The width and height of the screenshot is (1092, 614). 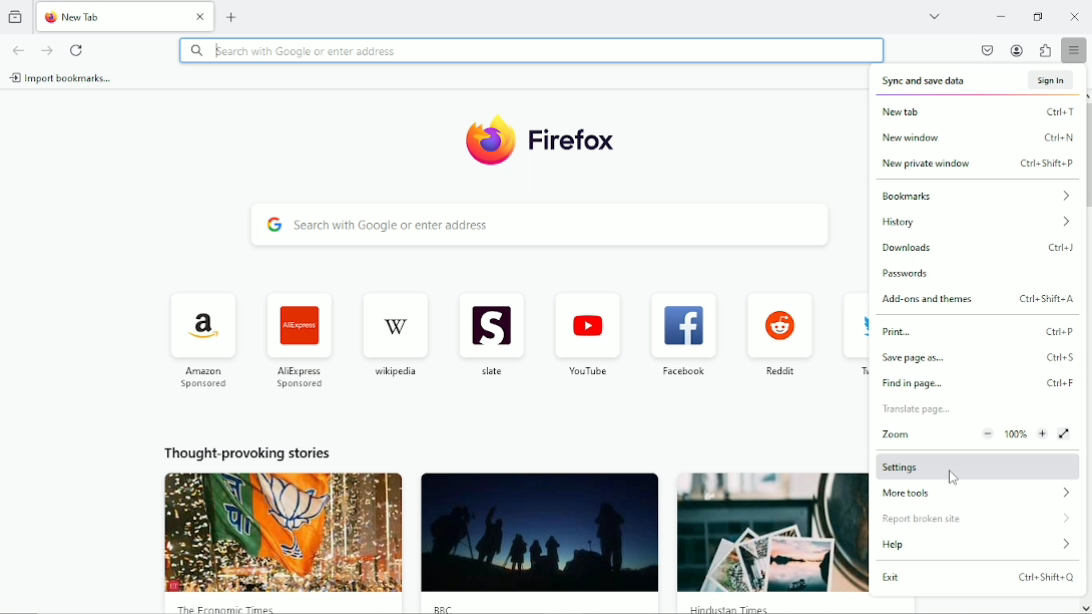 What do you see at coordinates (934, 16) in the screenshot?
I see `list all tabs` at bounding box center [934, 16].